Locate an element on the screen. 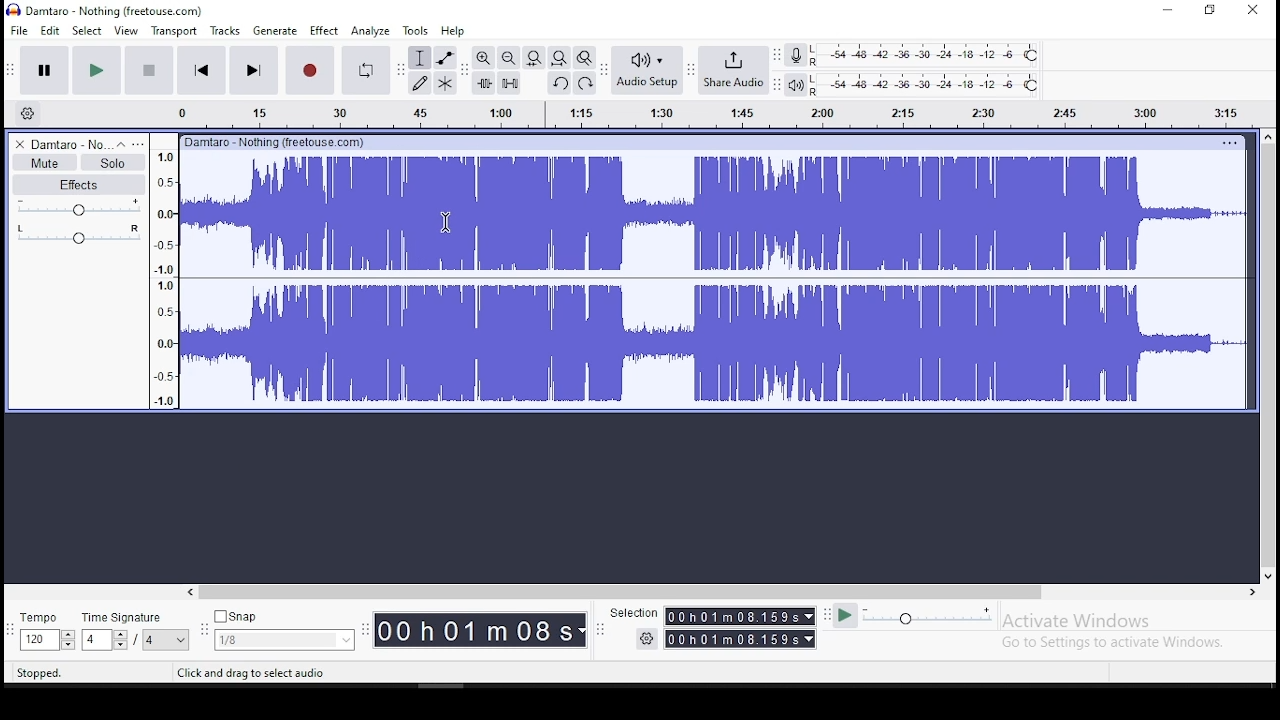 The image size is (1280, 720).  is located at coordinates (279, 141).